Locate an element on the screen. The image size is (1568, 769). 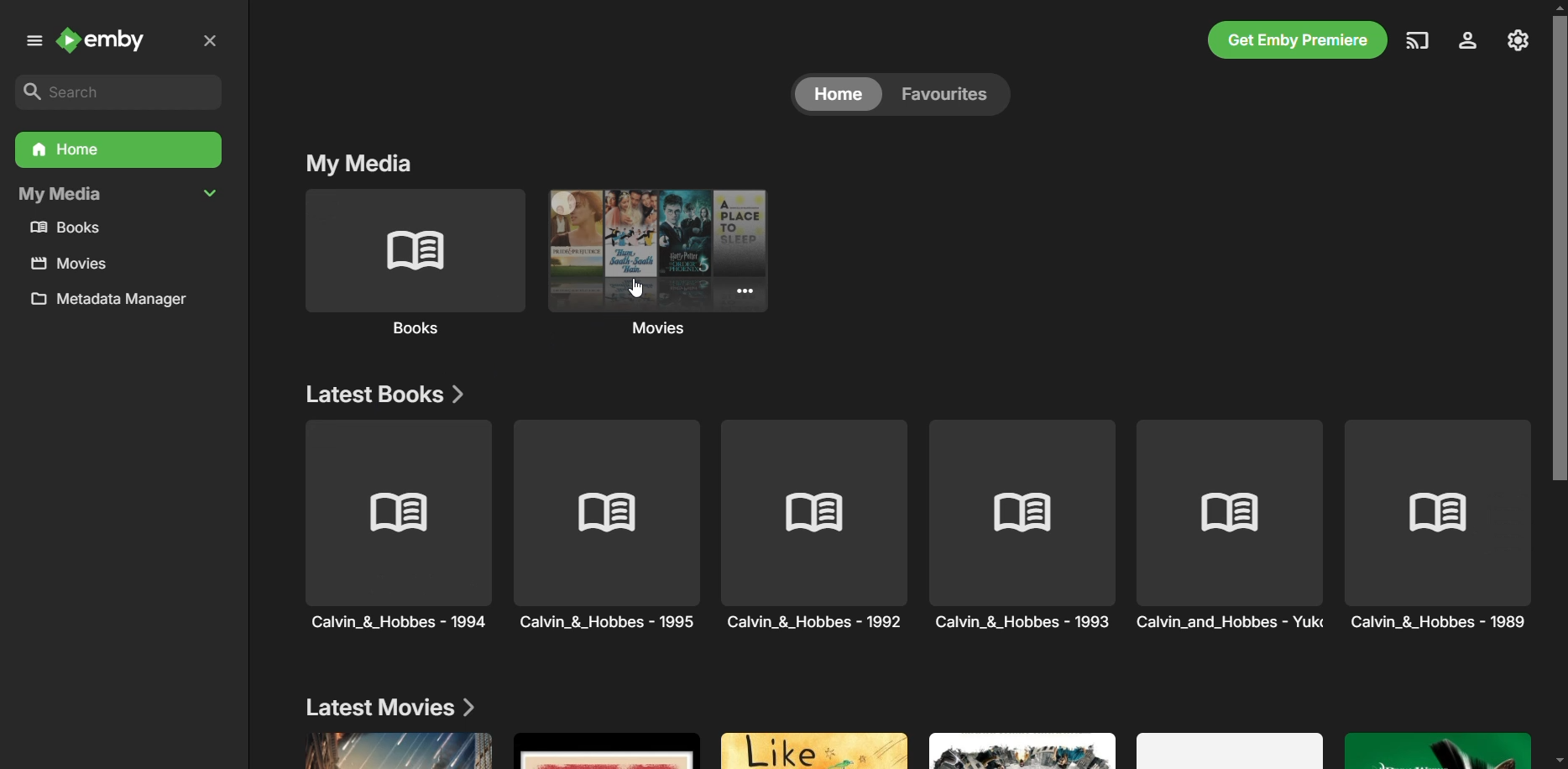
Vertical Scrol Bar is located at coordinates (1558, 384).